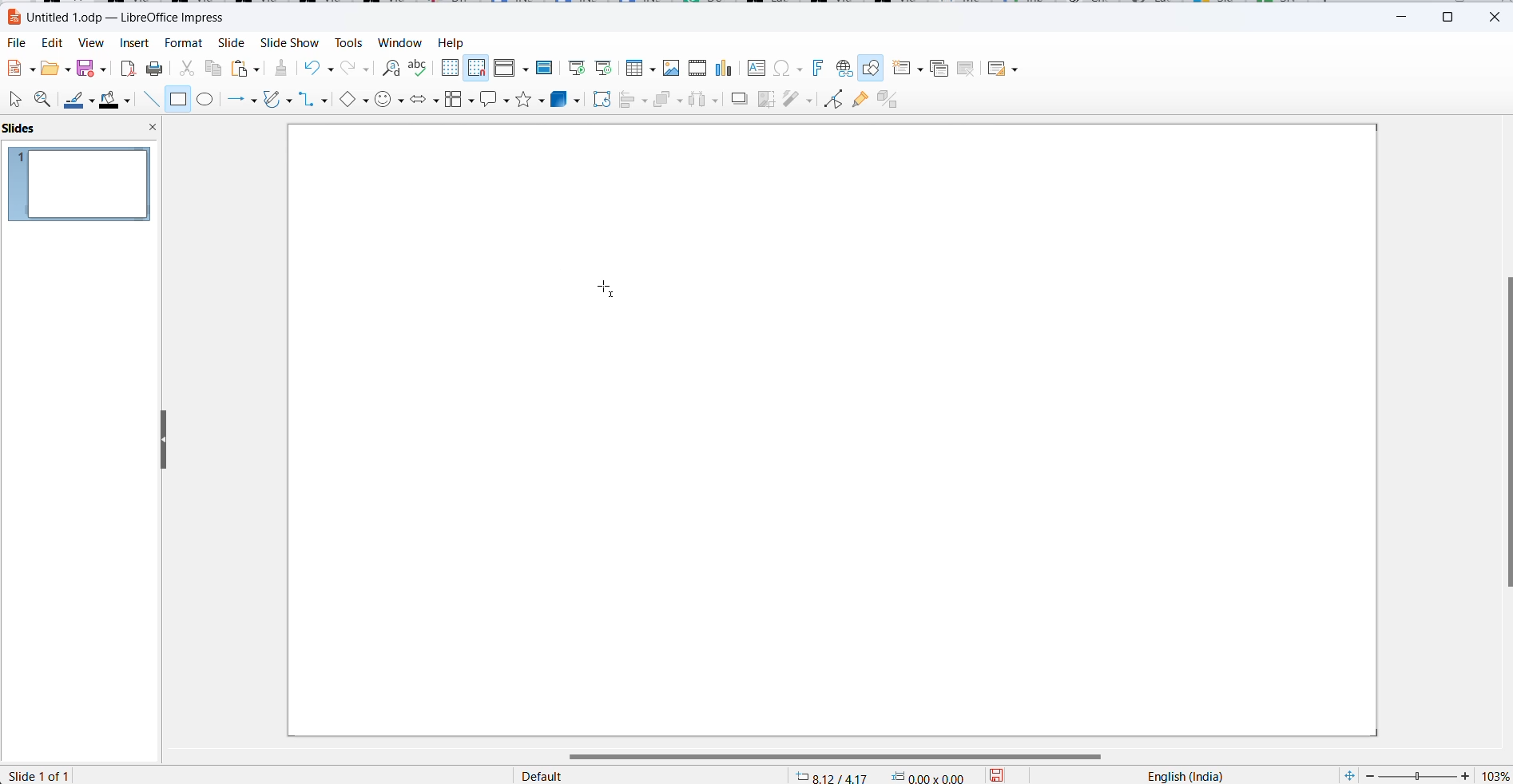 Image resolution: width=1513 pixels, height=784 pixels. What do you see at coordinates (18, 44) in the screenshot?
I see `File` at bounding box center [18, 44].